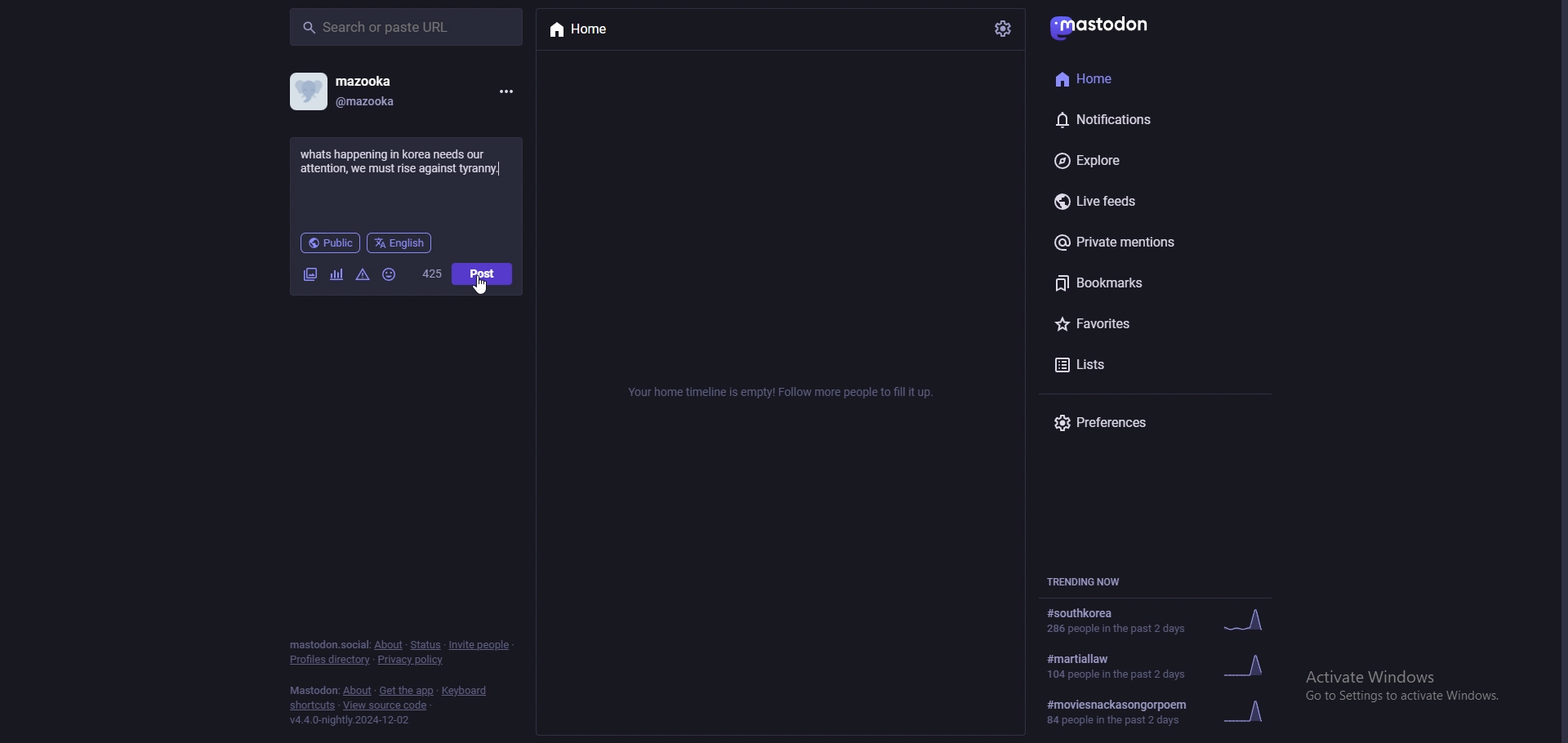  I want to click on trending, so click(1161, 665).